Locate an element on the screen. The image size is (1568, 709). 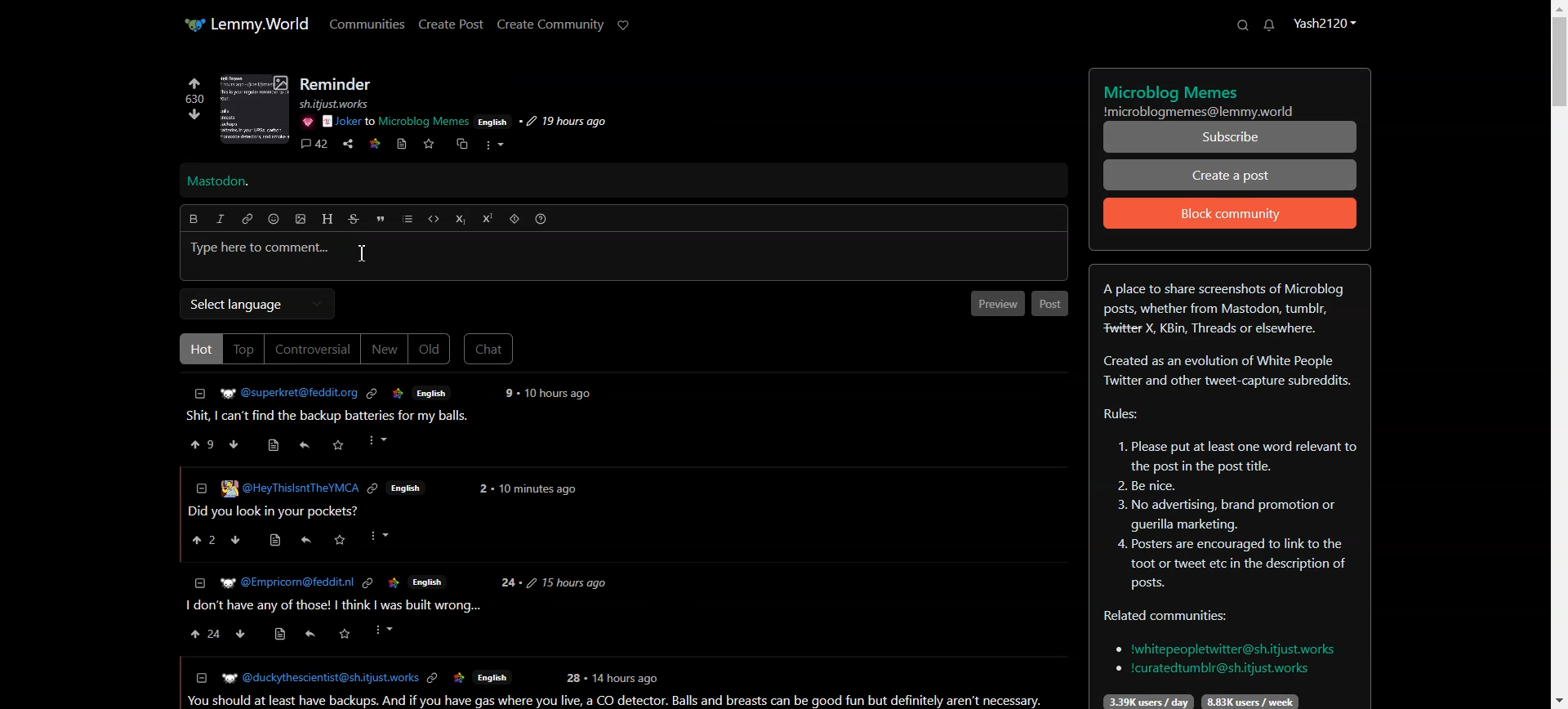
Spoiler is located at coordinates (514, 219).